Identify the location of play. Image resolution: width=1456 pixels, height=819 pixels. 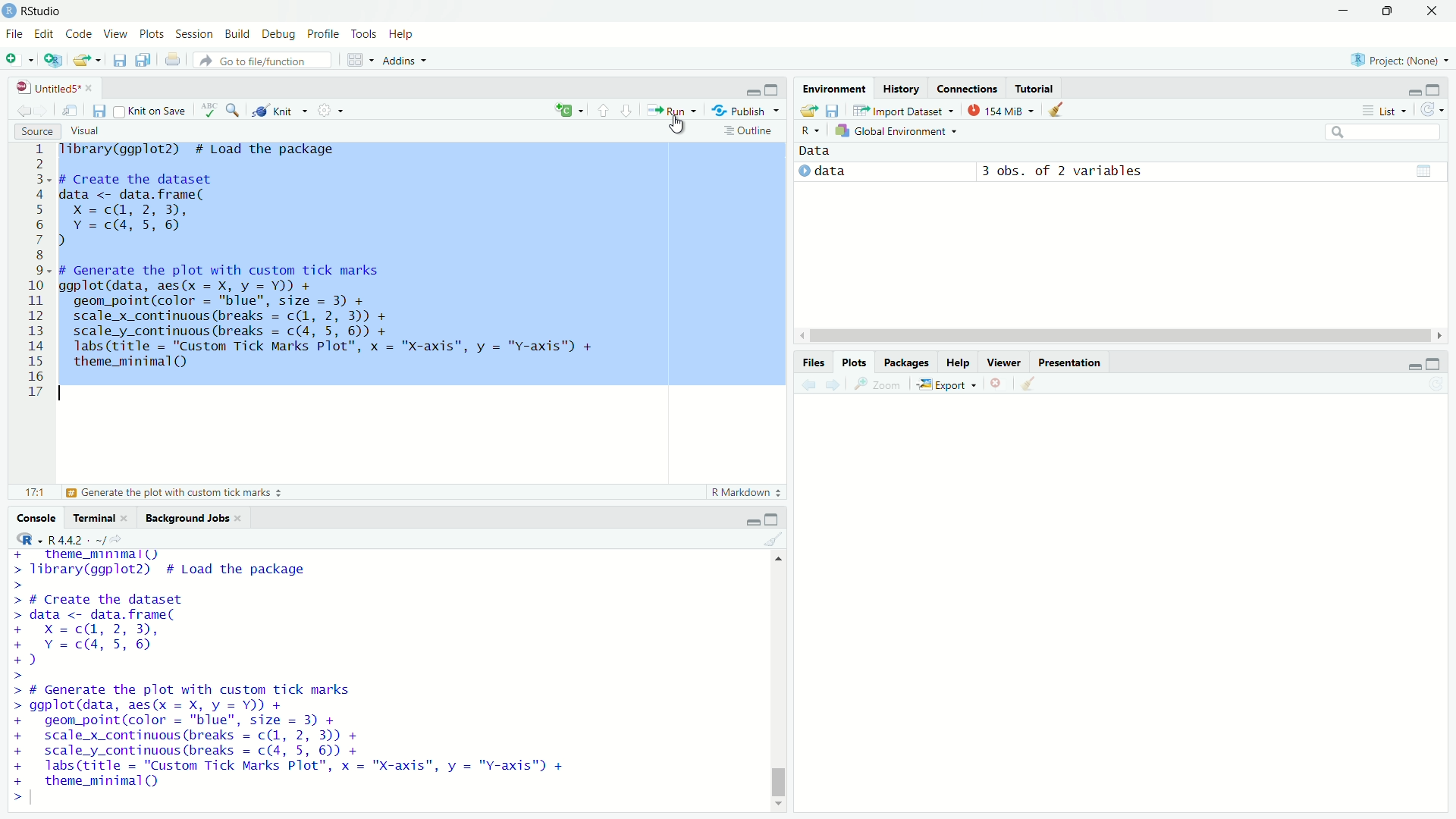
(802, 174).